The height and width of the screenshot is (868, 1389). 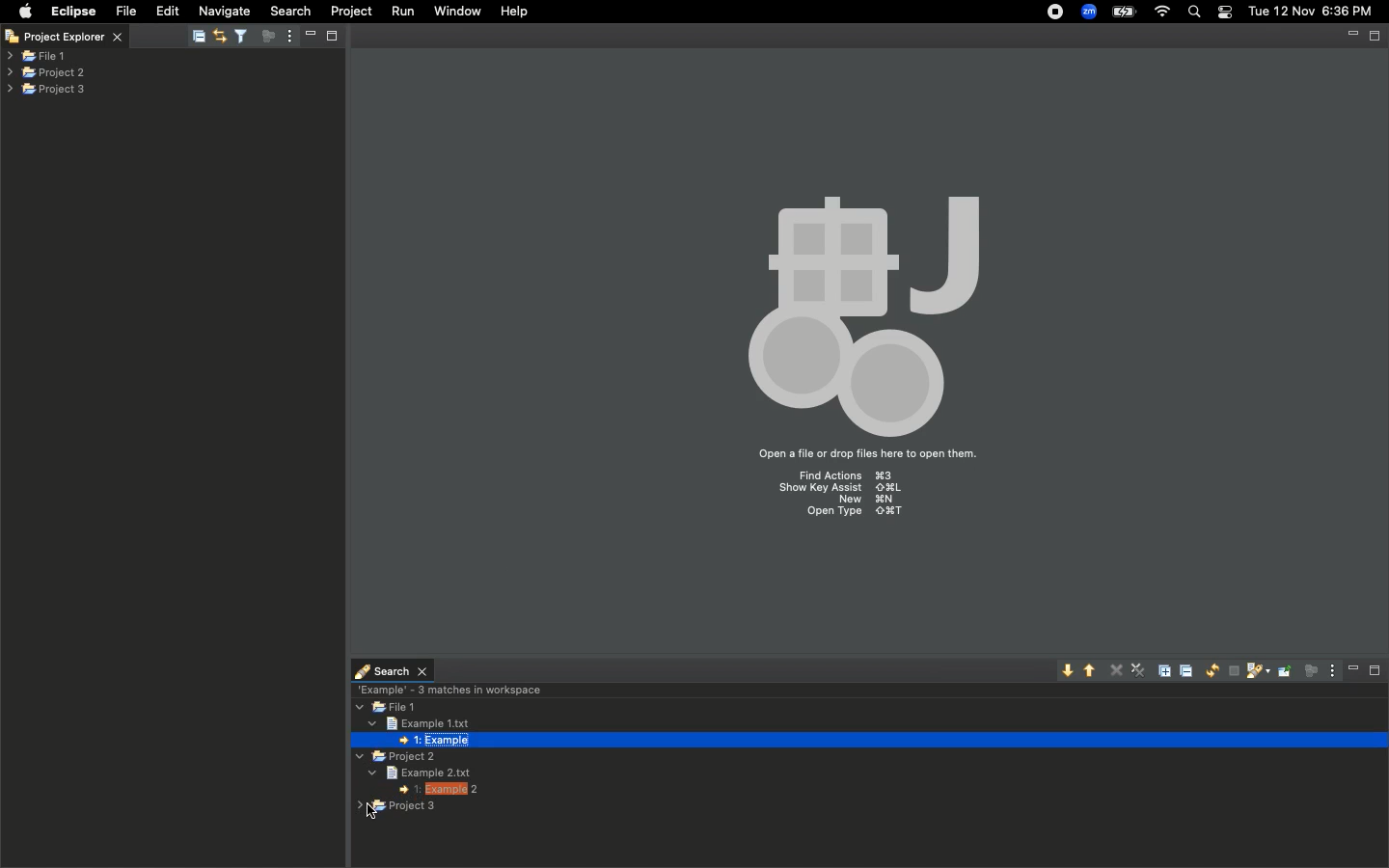 I want to click on Search, so click(x=288, y=11).